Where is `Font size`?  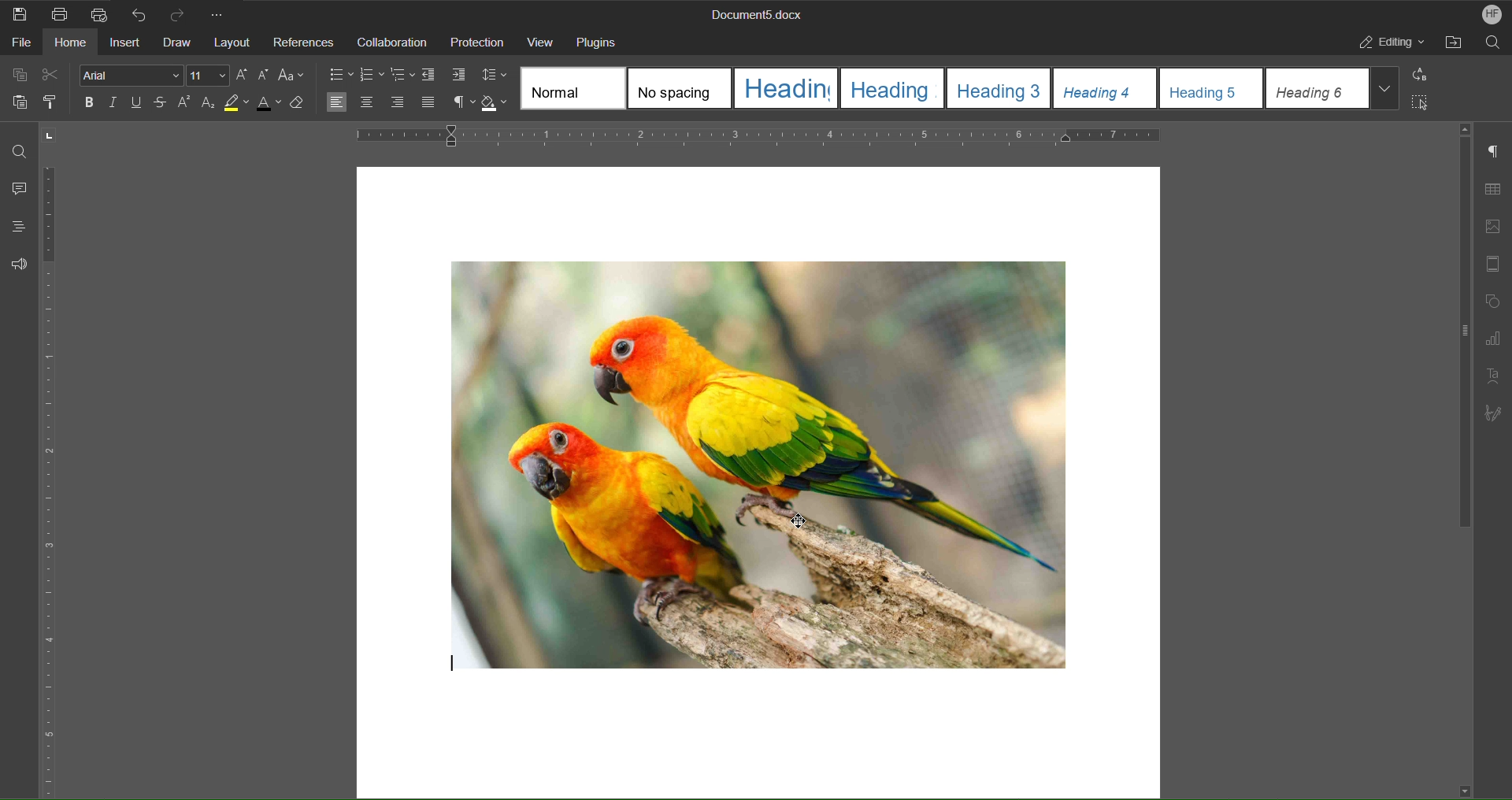 Font size is located at coordinates (209, 76).